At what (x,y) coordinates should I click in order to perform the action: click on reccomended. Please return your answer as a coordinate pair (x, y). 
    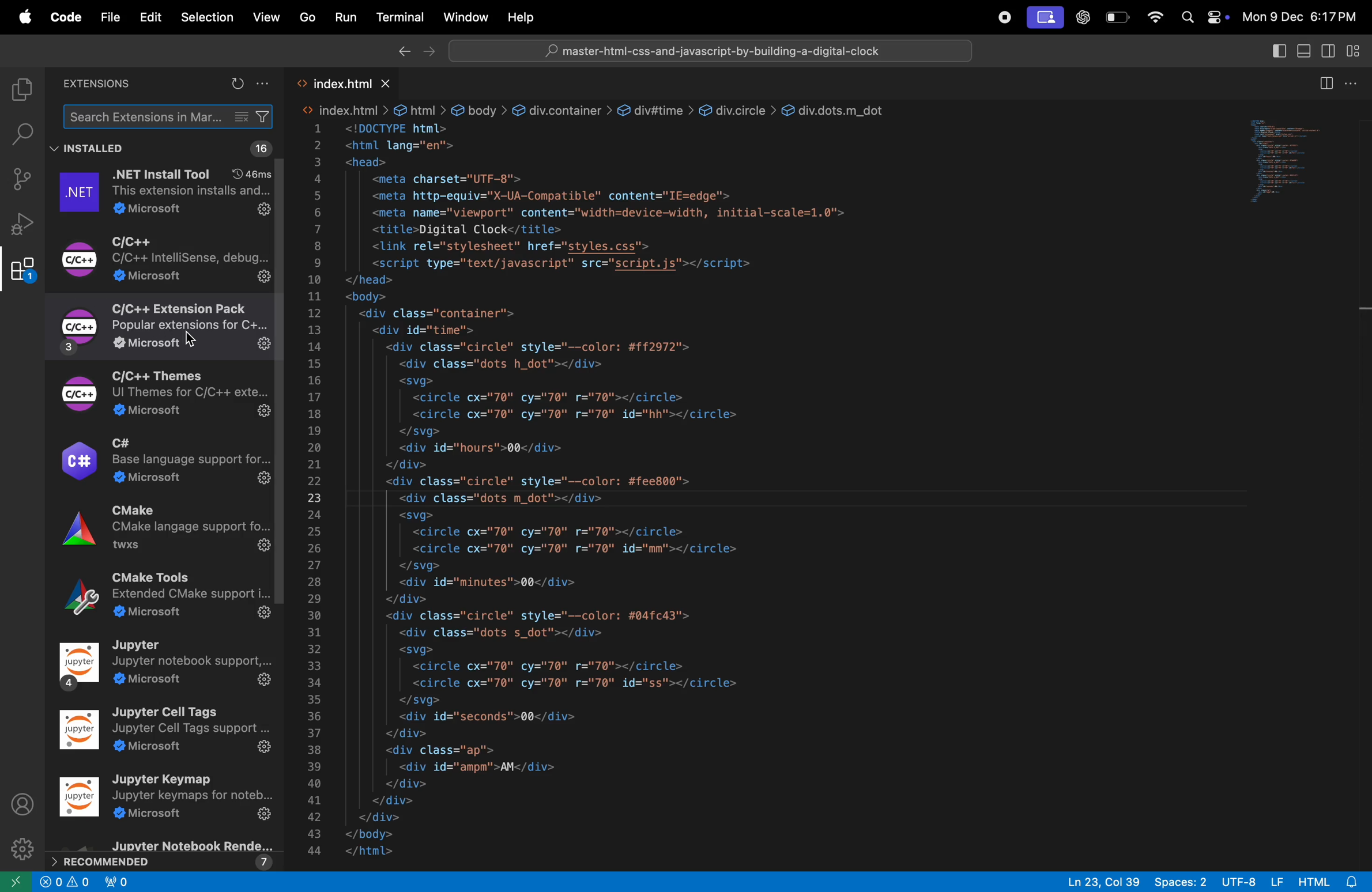
    Looking at the image, I should click on (163, 854).